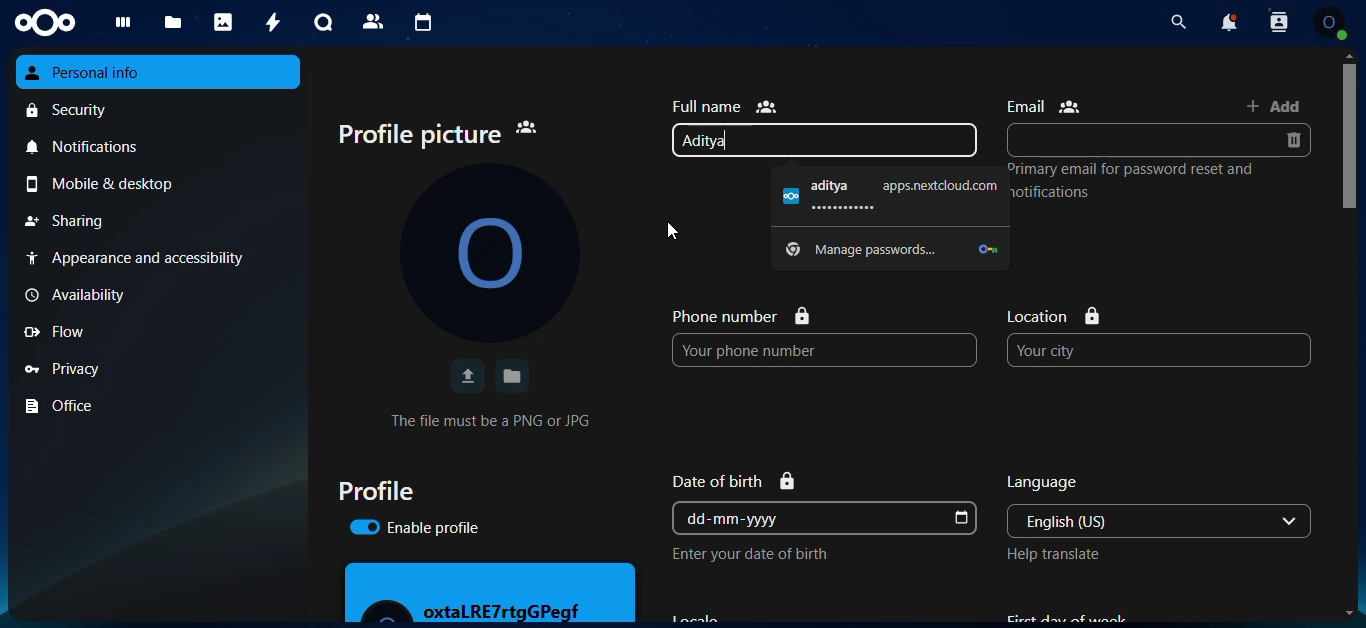 This screenshot has height=628, width=1366. Describe the element at coordinates (1134, 180) in the screenshot. I see `Primary email for password reset and notifications` at that location.